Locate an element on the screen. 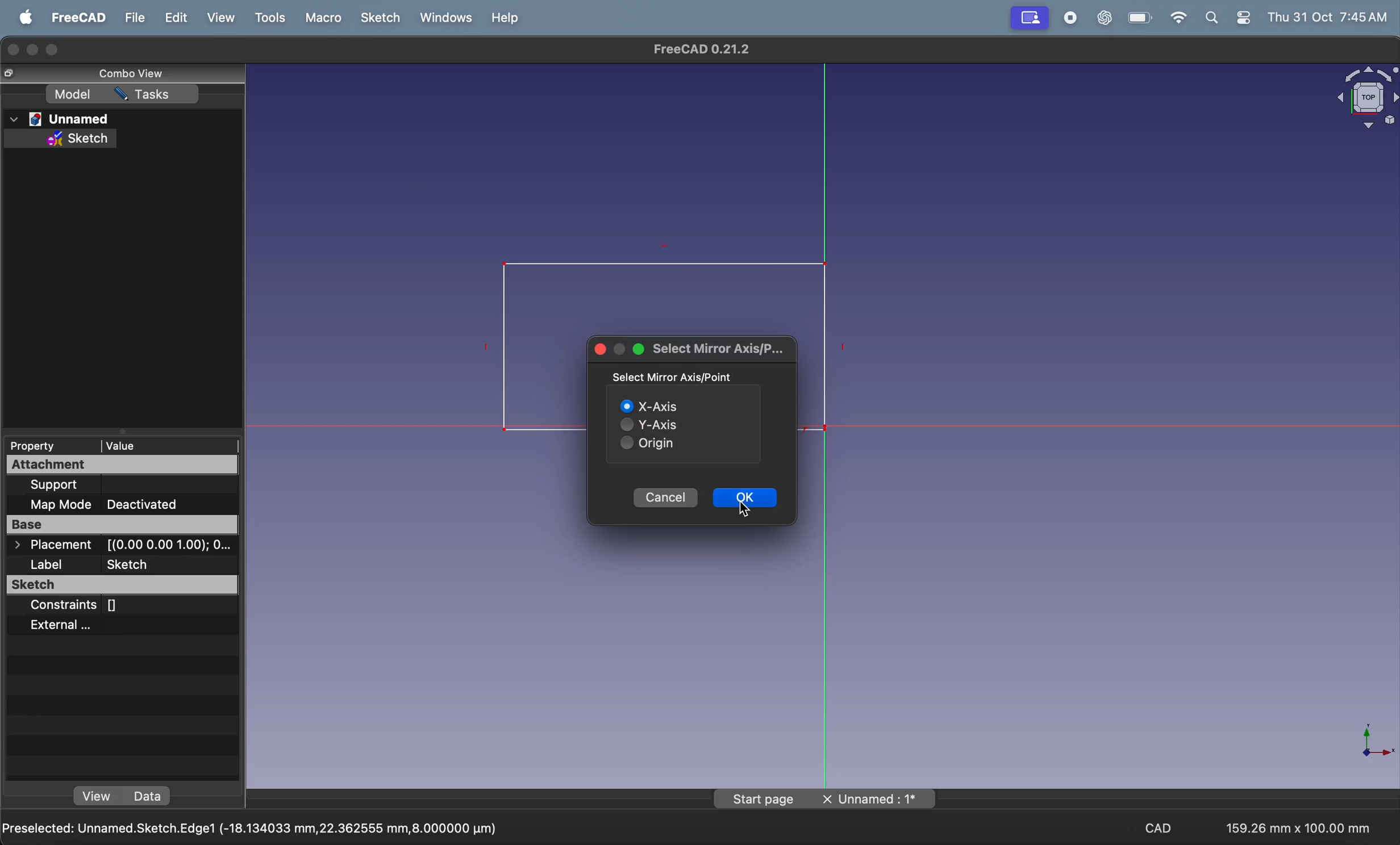  constraints is located at coordinates (119, 606).